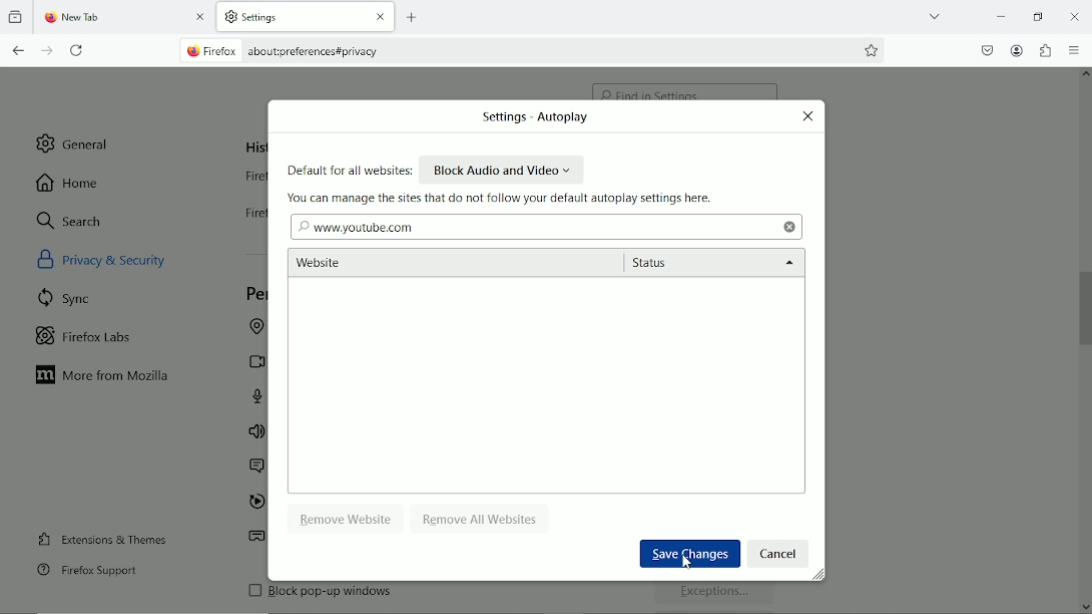 This screenshot has height=614, width=1092. I want to click on status, so click(713, 264).